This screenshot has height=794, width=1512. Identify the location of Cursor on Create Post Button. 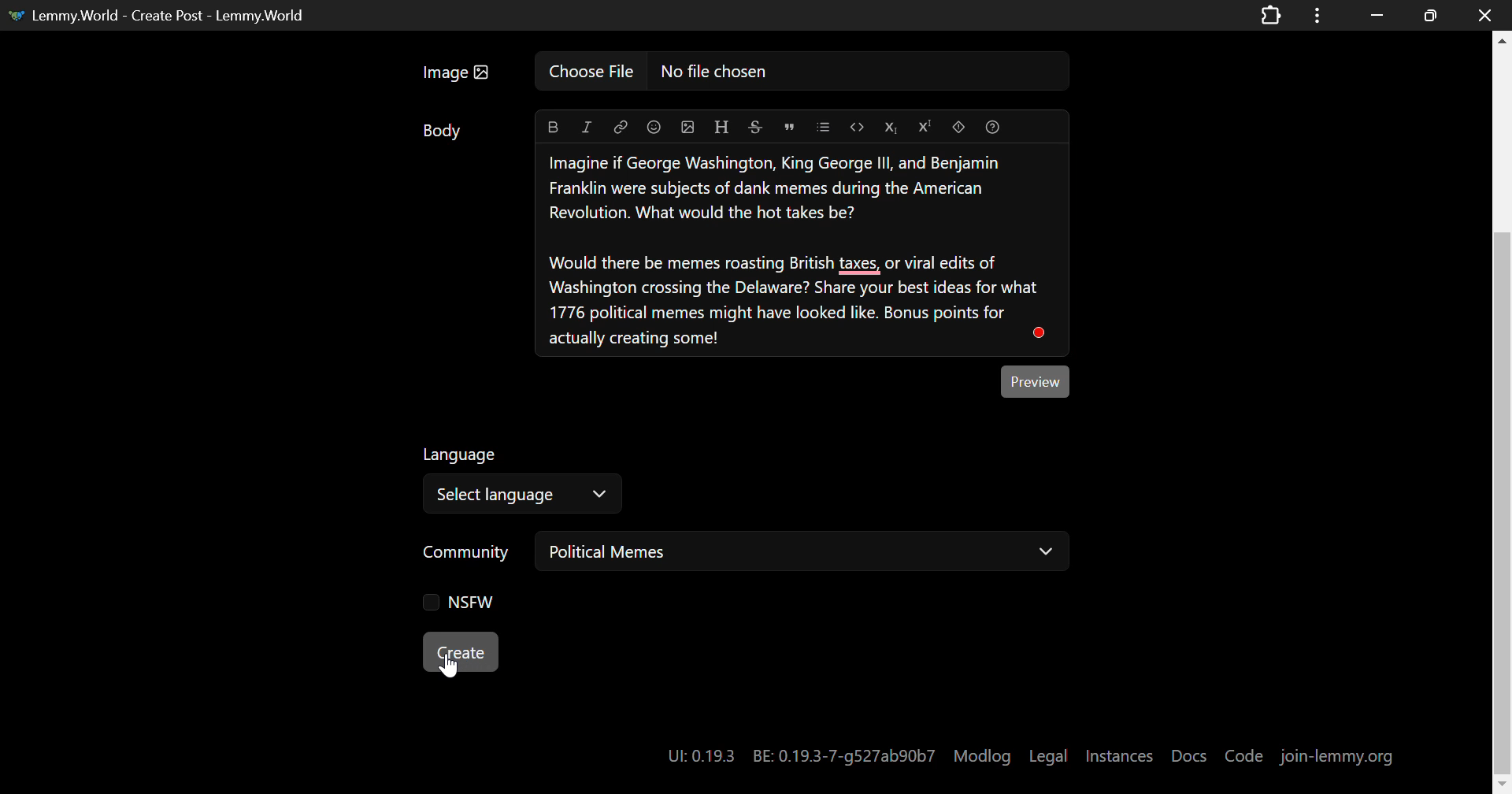
(450, 664).